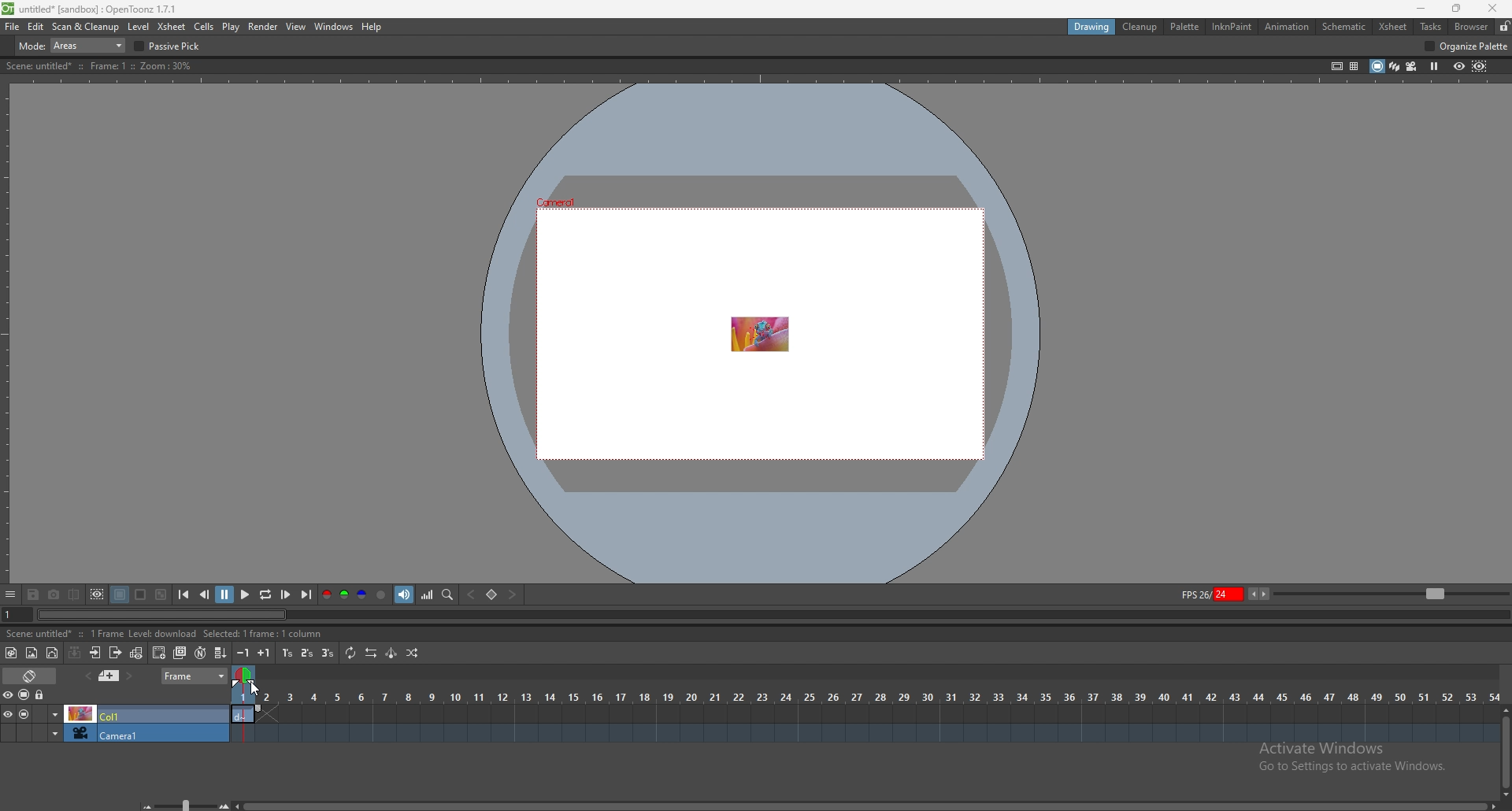 This screenshot has width=1512, height=811. What do you see at coordinates (372, 653) in the screenshot?
I see `reverse` at bounding box center [372, 653].